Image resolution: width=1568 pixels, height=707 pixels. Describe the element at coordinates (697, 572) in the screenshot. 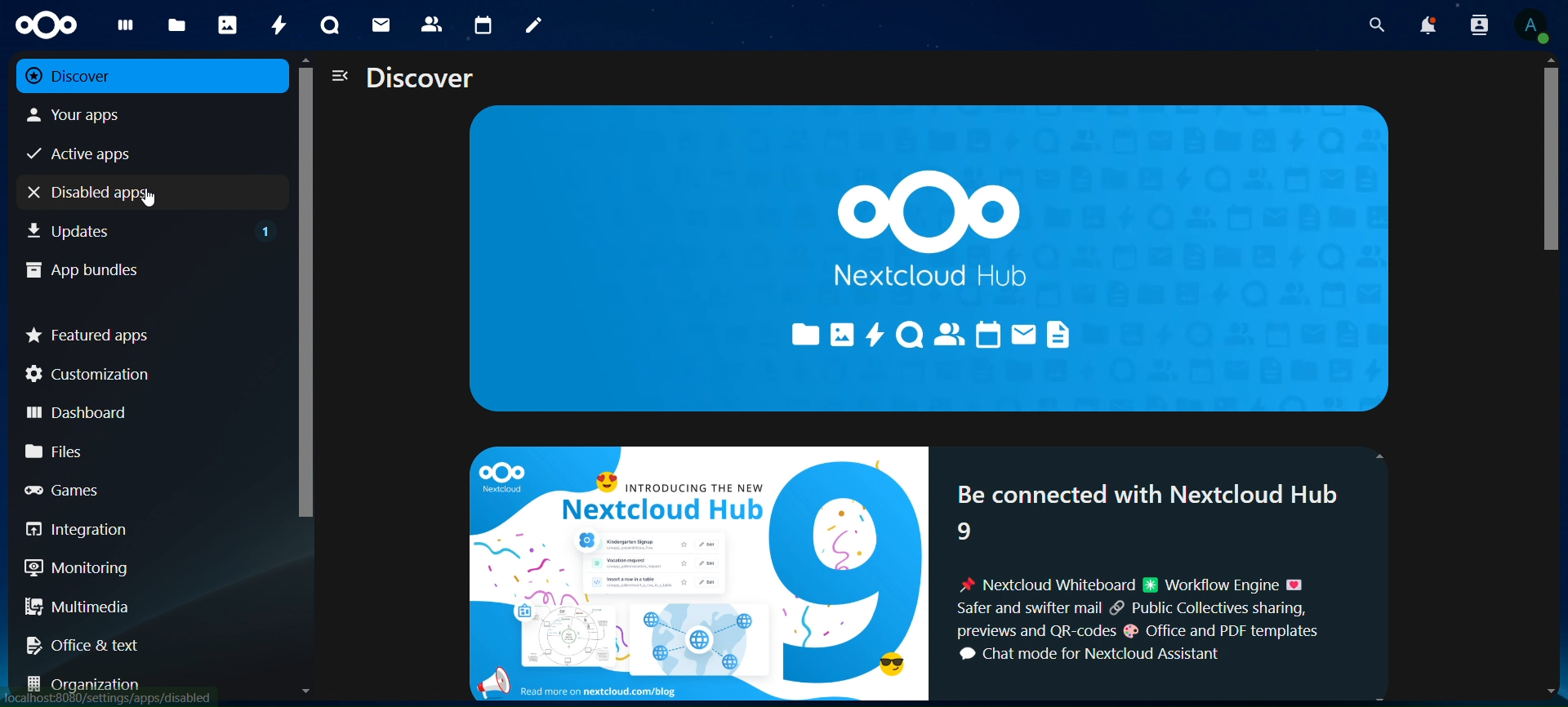

I see `image` at that location.